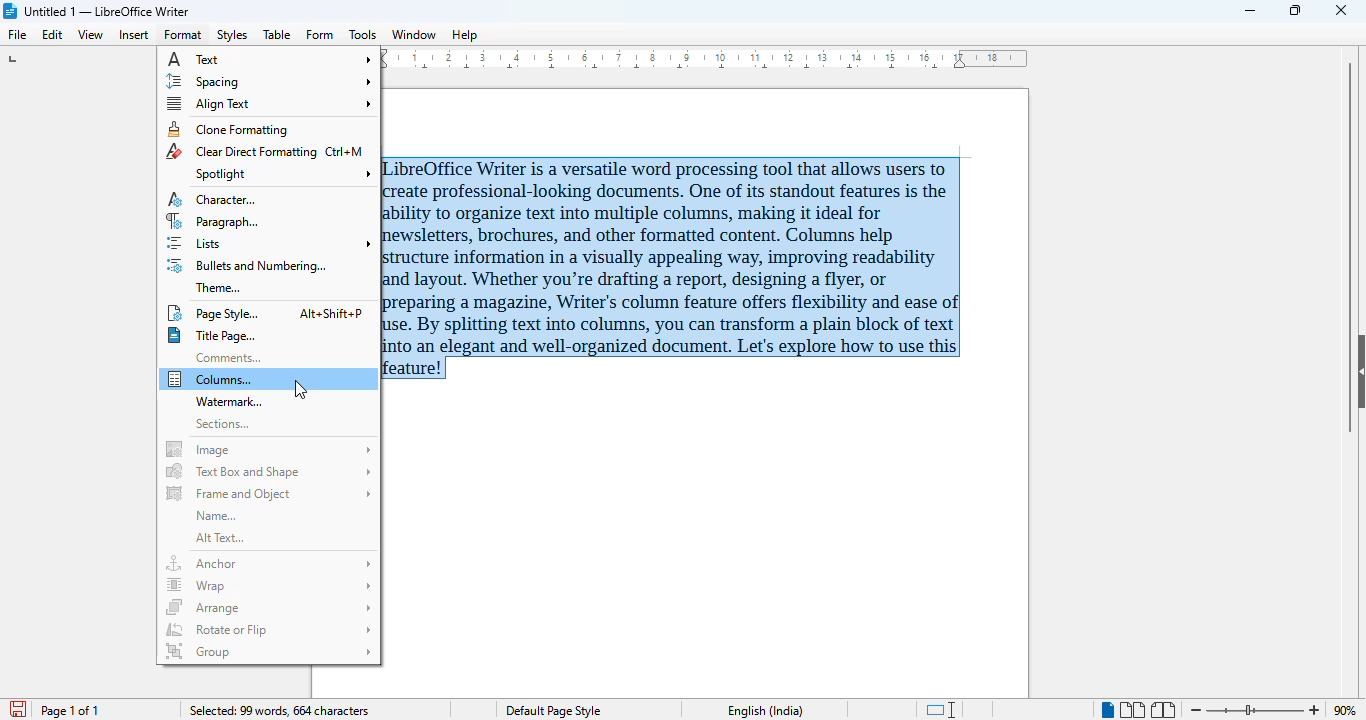 This screenshot has width=1366, height=720. What do you see at coordinates (1165, 710) in the screenshot?
I see `book view` at bounding box center [1165, 710].